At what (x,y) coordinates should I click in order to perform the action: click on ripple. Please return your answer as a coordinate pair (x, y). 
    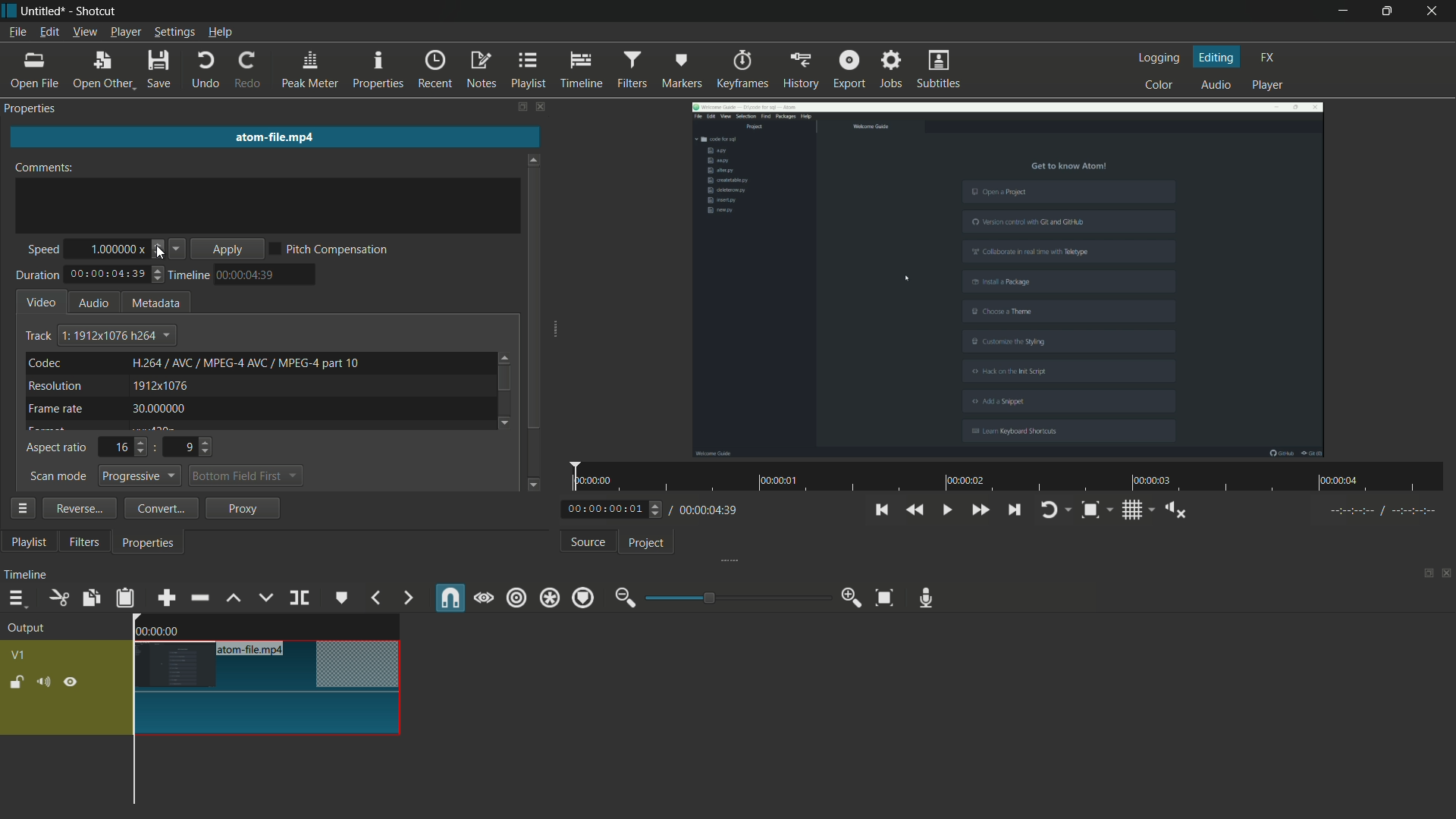
    Looking at the image, I should click on (516, 600).